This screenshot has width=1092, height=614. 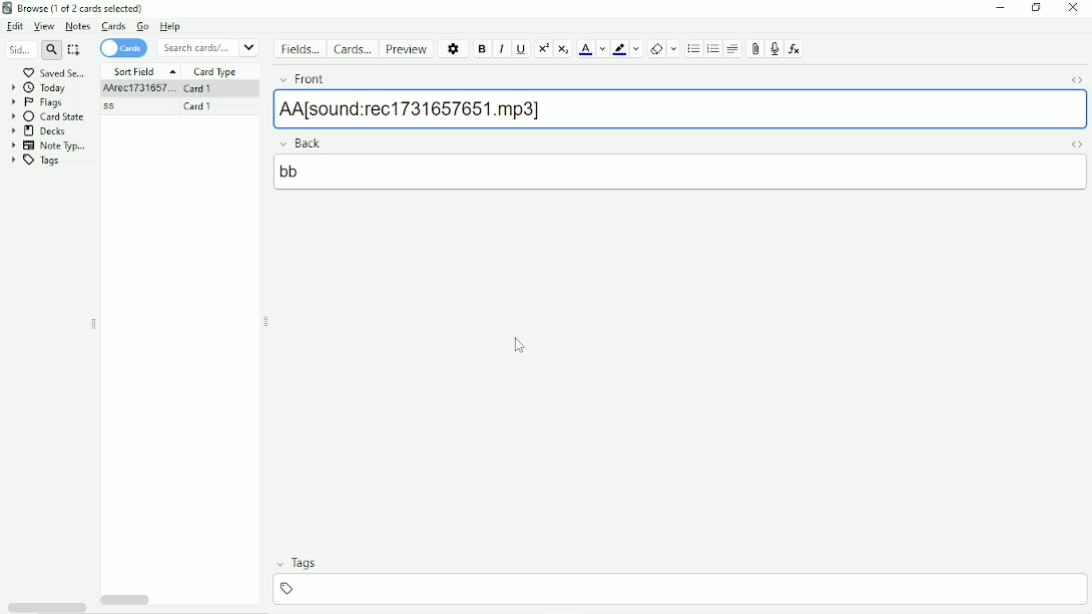 I want to click on Card Type, so click(x=216, y=72).